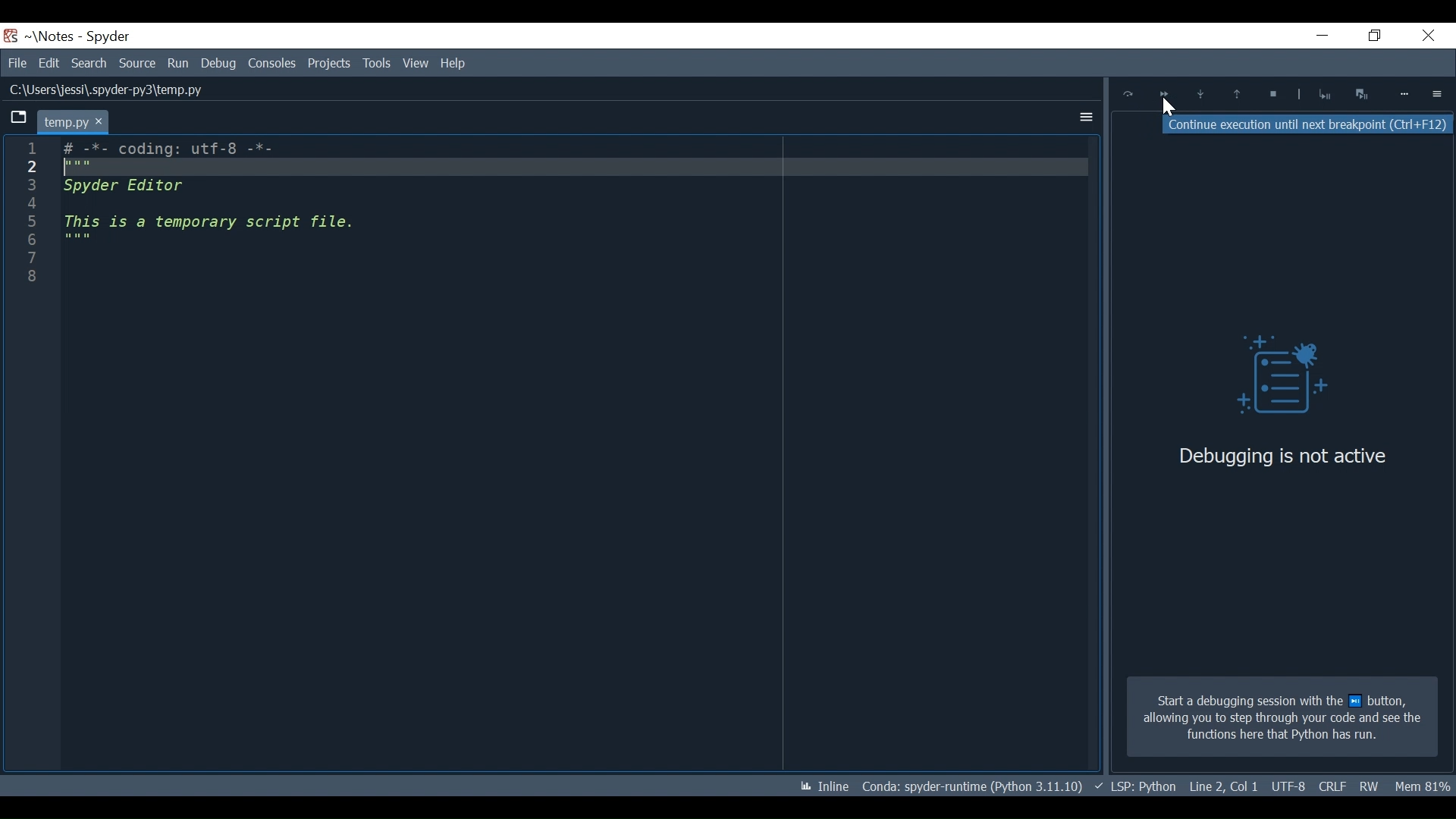  I want to click on Cursor Position, so click(1288, 787).